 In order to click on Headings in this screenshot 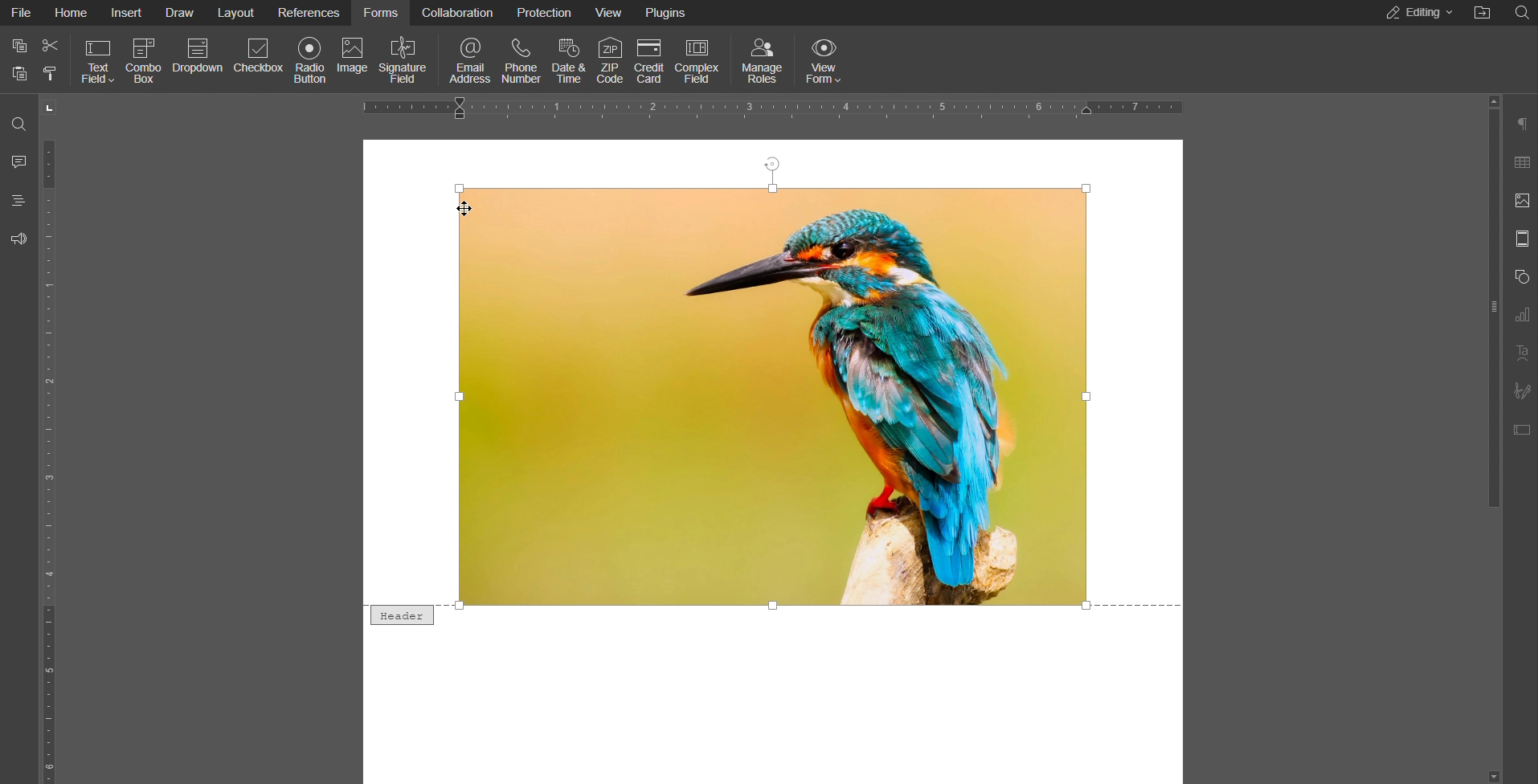, I will do `click(18, 201)`.